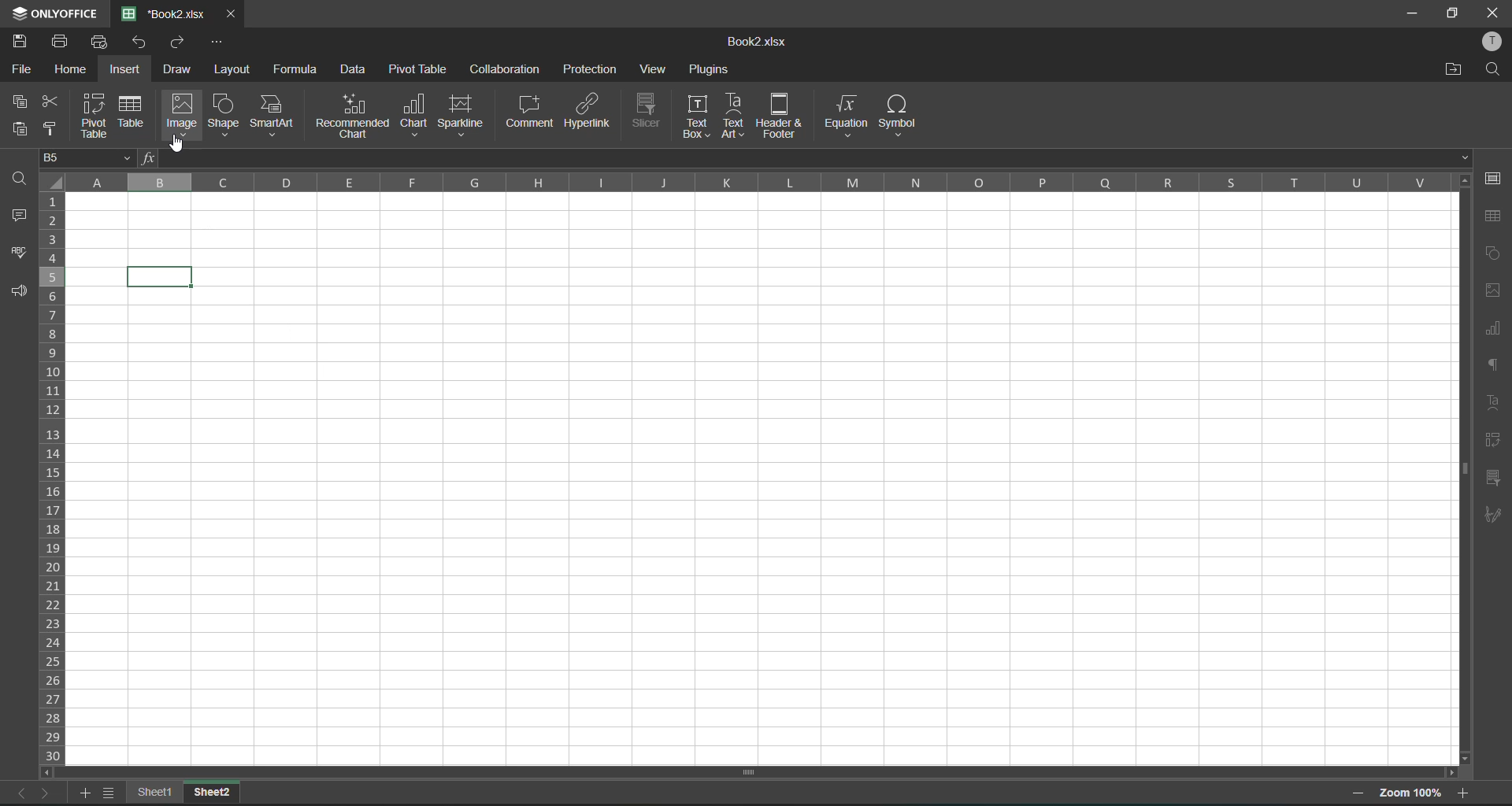 The image size is (1512, 806). Describe the element at coordinates (530, 112) in the screenshot. I see `comment` at that location.